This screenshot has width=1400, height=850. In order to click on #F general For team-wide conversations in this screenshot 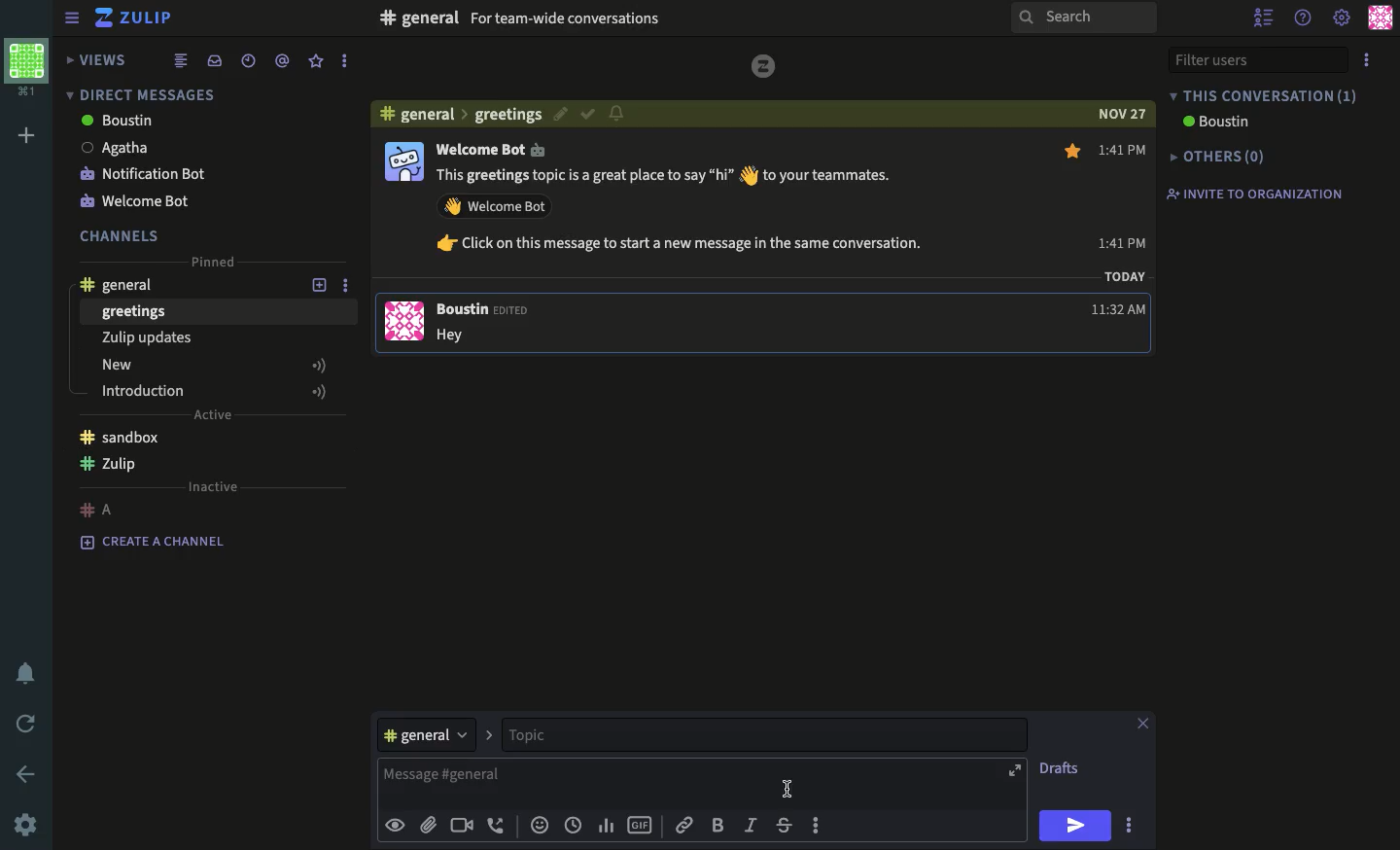, I will do `click(607, 17)`.